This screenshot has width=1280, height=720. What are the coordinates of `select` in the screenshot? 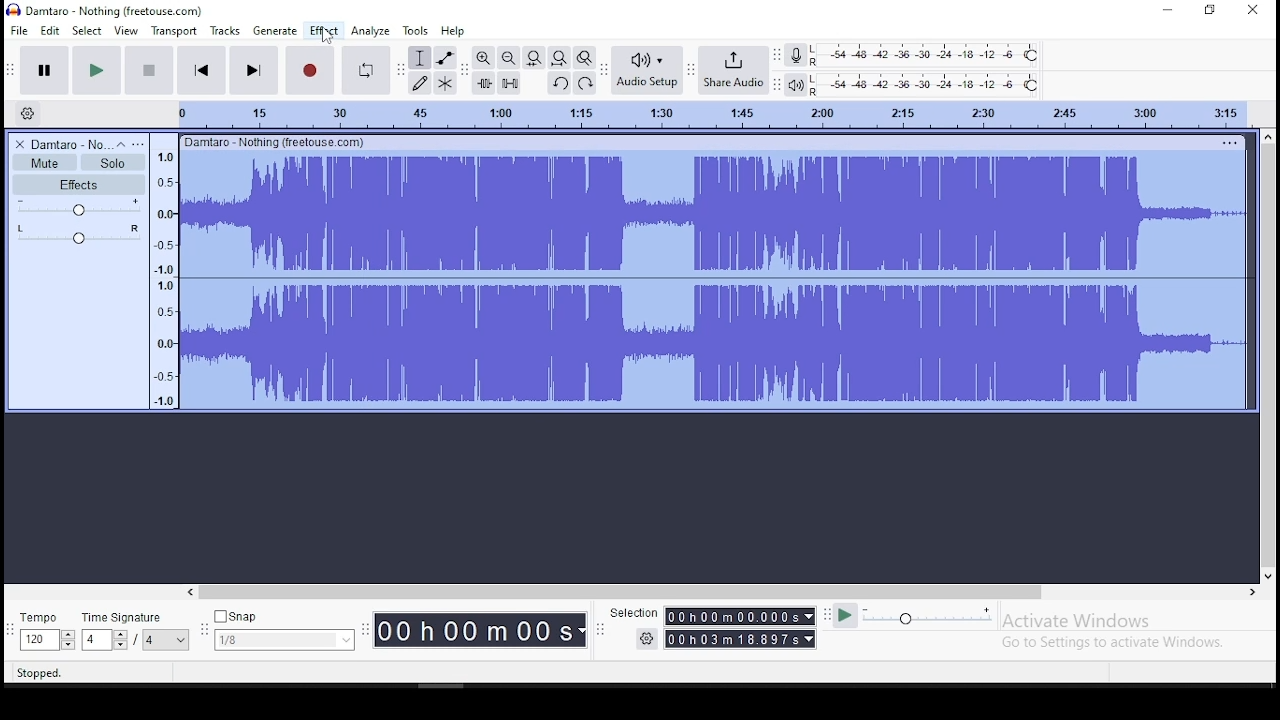 It's located at (88, 30).